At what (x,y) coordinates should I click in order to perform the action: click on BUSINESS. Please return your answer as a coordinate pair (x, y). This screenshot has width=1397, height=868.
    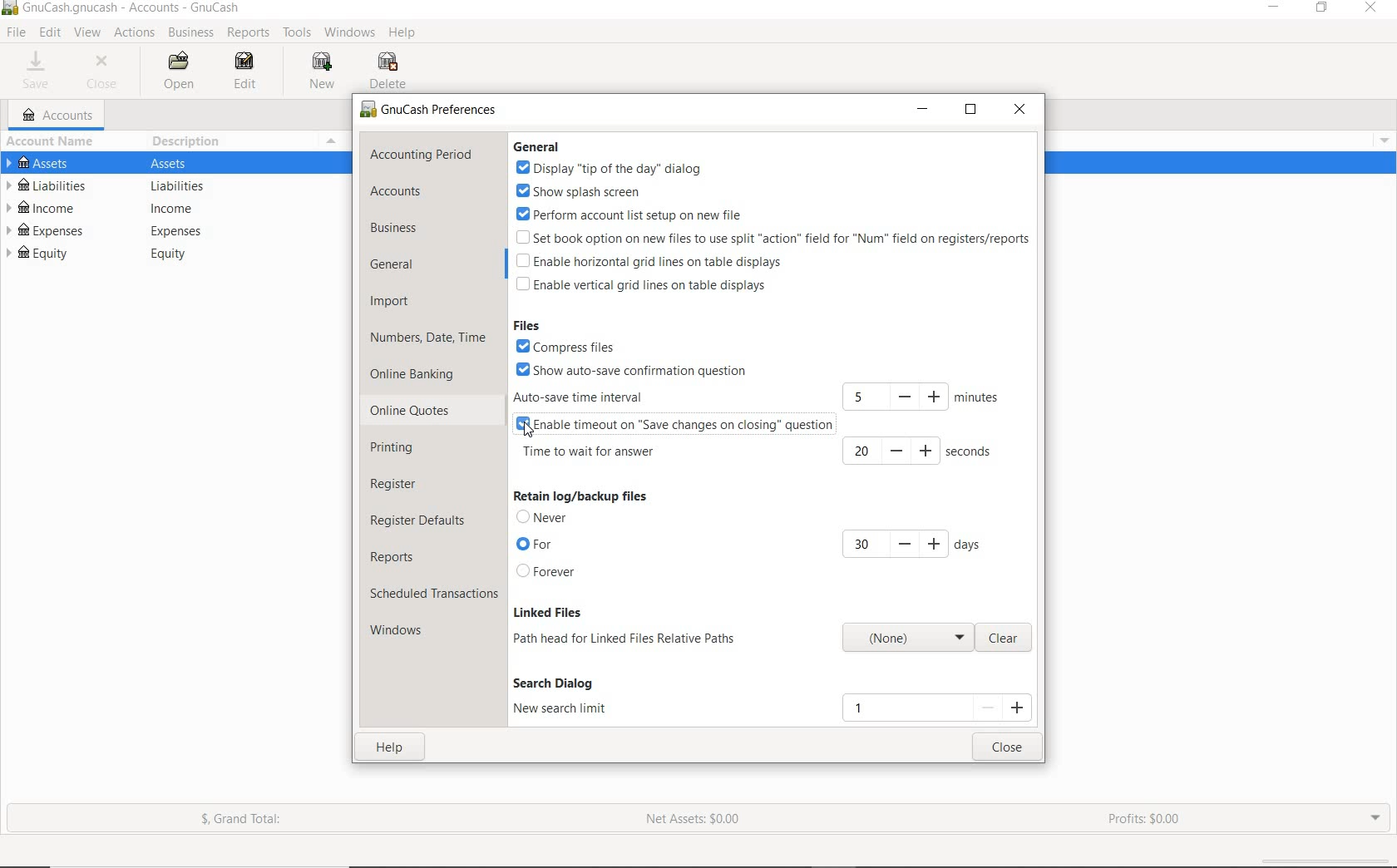
    Looking at the image, I should click on (409, 228).